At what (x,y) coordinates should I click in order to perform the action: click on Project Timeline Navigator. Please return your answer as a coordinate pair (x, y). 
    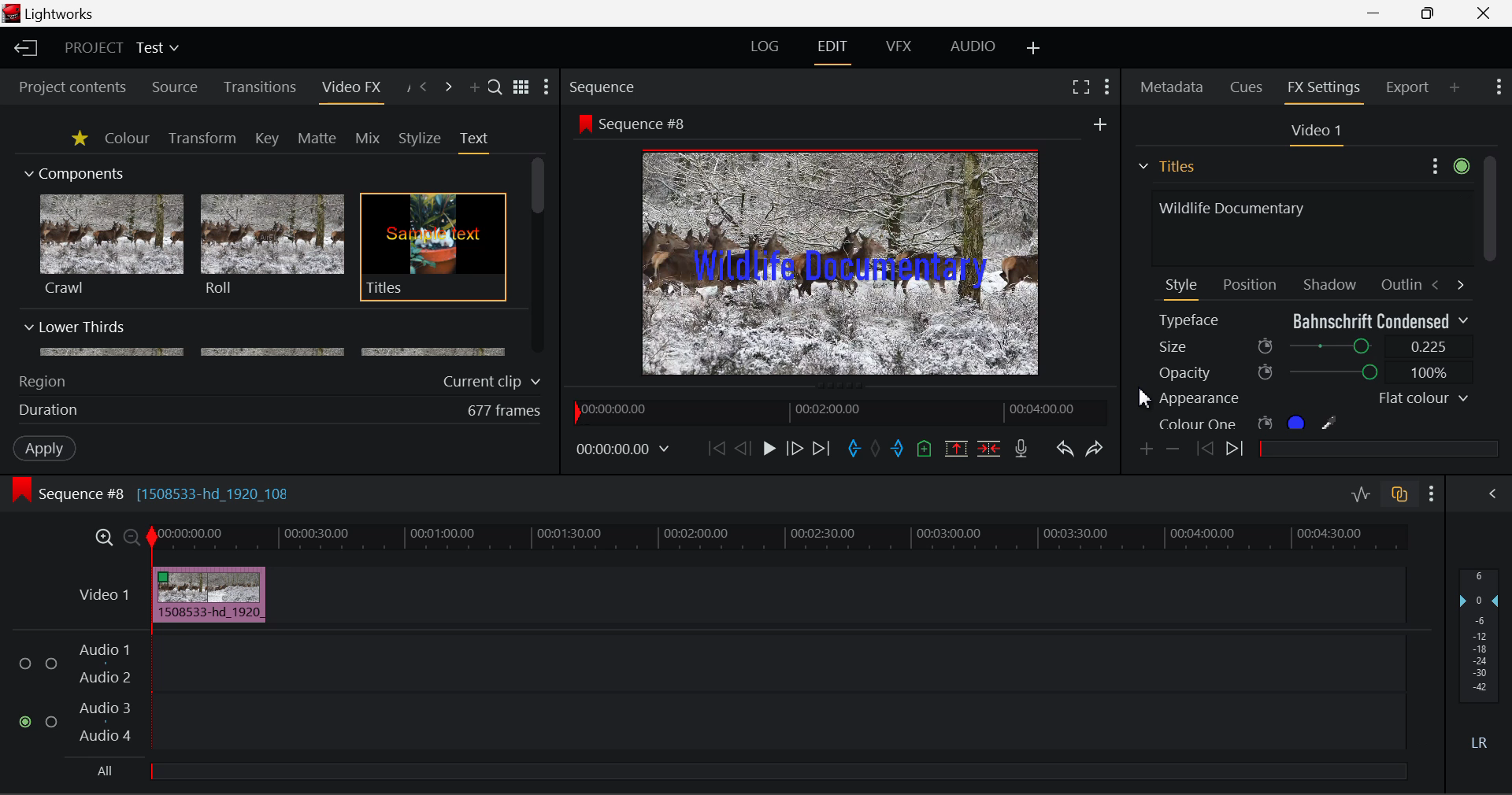
    Looking at the image, I should click on (839, 409).